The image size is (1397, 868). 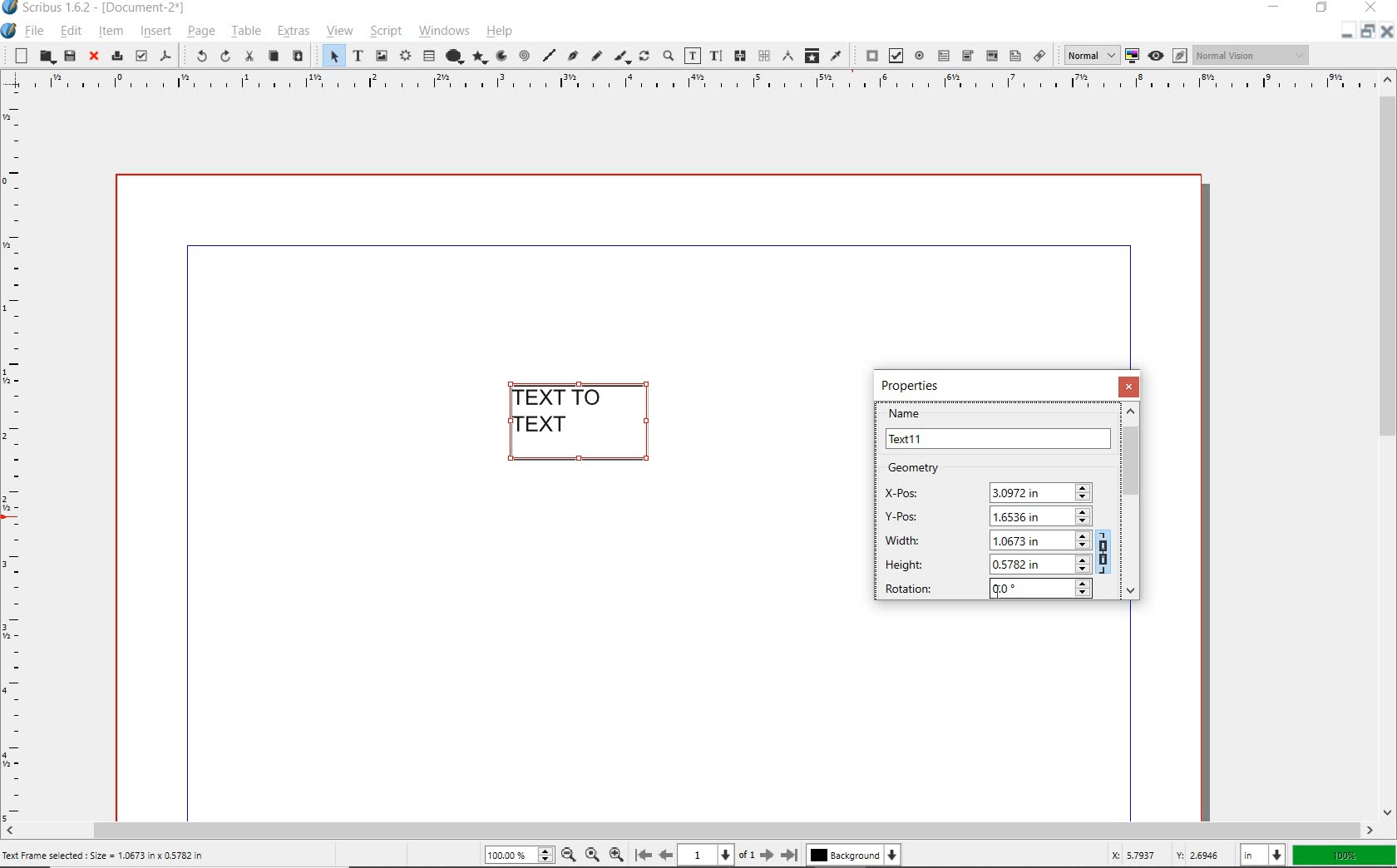 What do you see at coordinates (10, 32) in the screenshot?
I see `system icon` at bounding box center [10, 32].